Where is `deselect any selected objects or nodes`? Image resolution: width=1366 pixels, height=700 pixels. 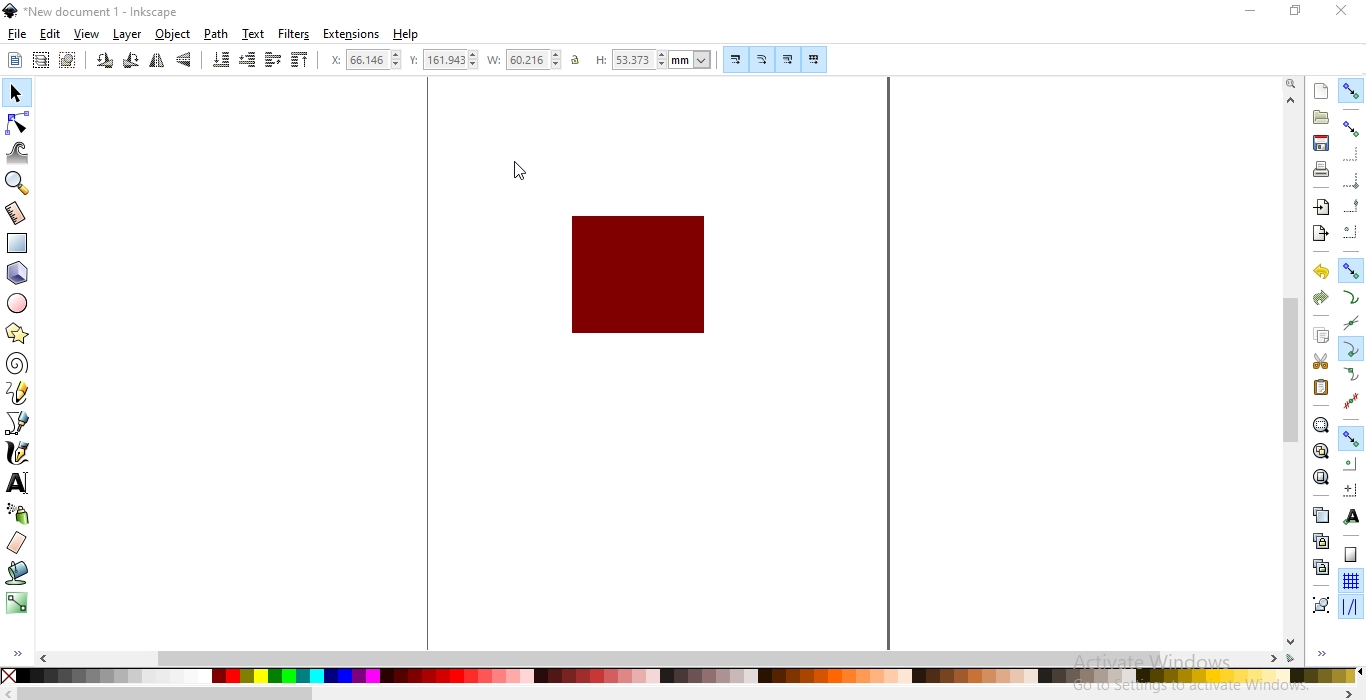
deselect any selected objects or nodes is located at coordinates (66, 61).